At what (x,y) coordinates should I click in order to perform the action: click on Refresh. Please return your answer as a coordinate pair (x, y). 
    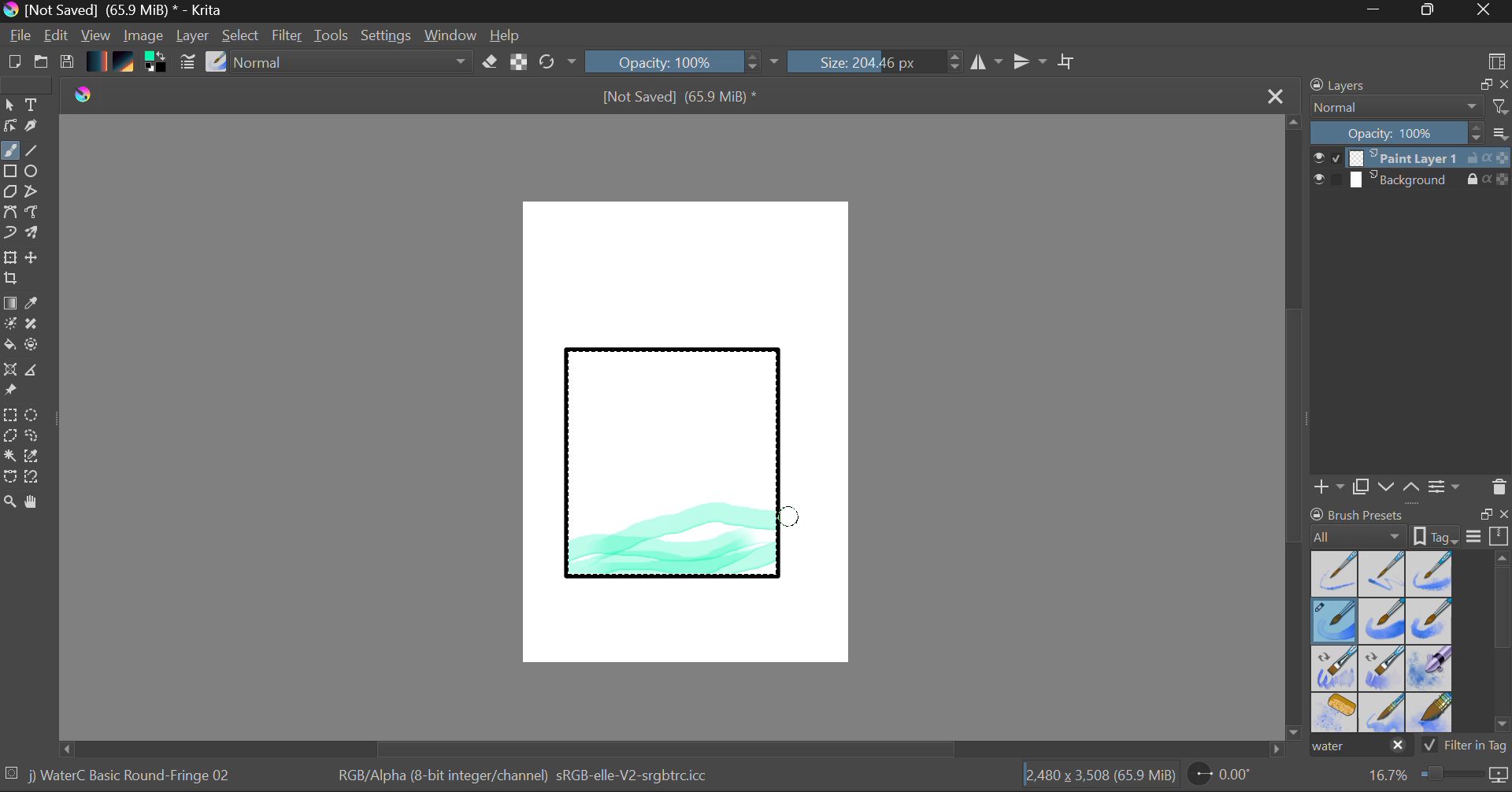
    Looking at the image, I should click on (558, 61).